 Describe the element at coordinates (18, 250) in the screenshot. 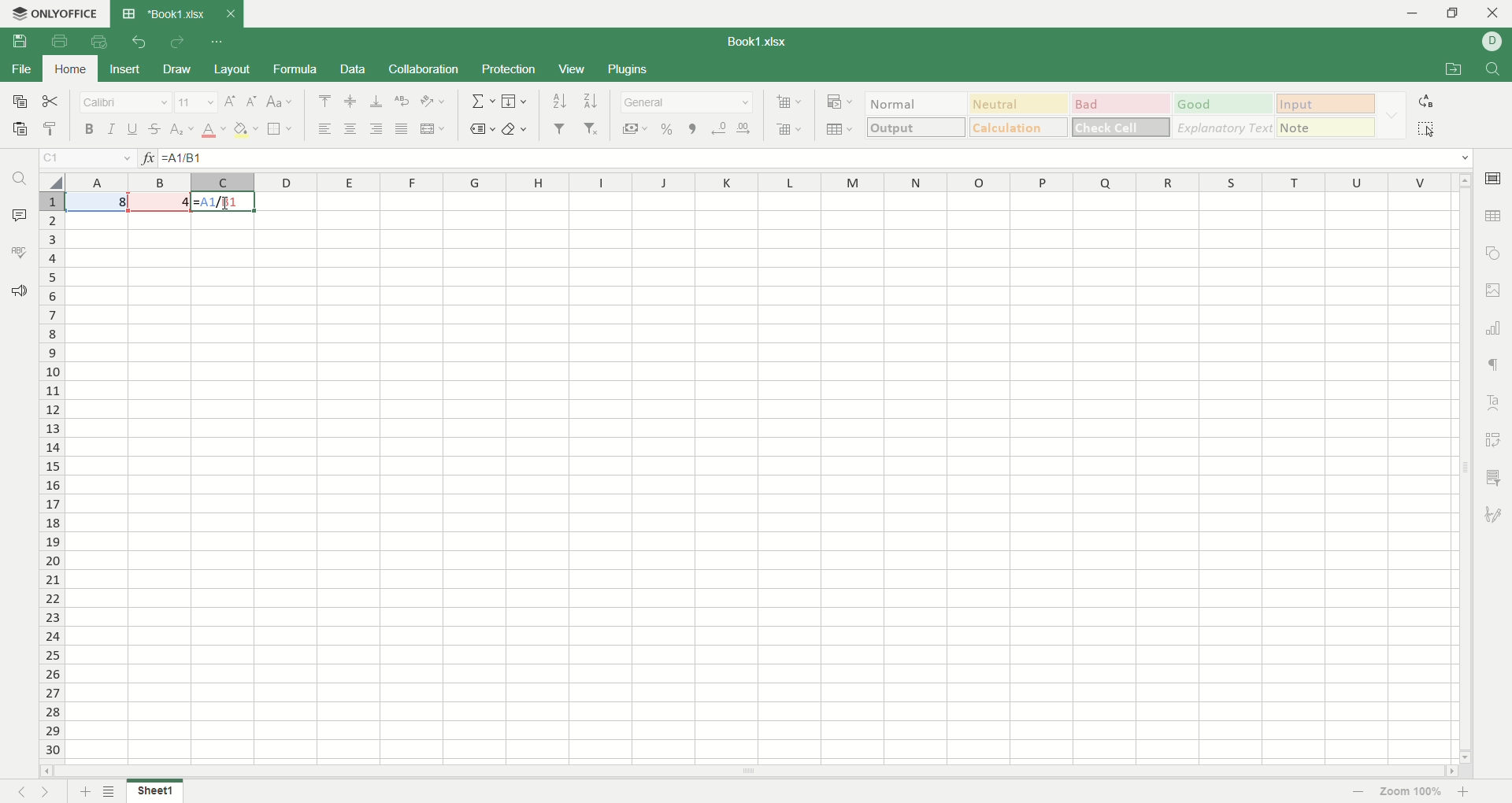

I see `spell check` at that location.